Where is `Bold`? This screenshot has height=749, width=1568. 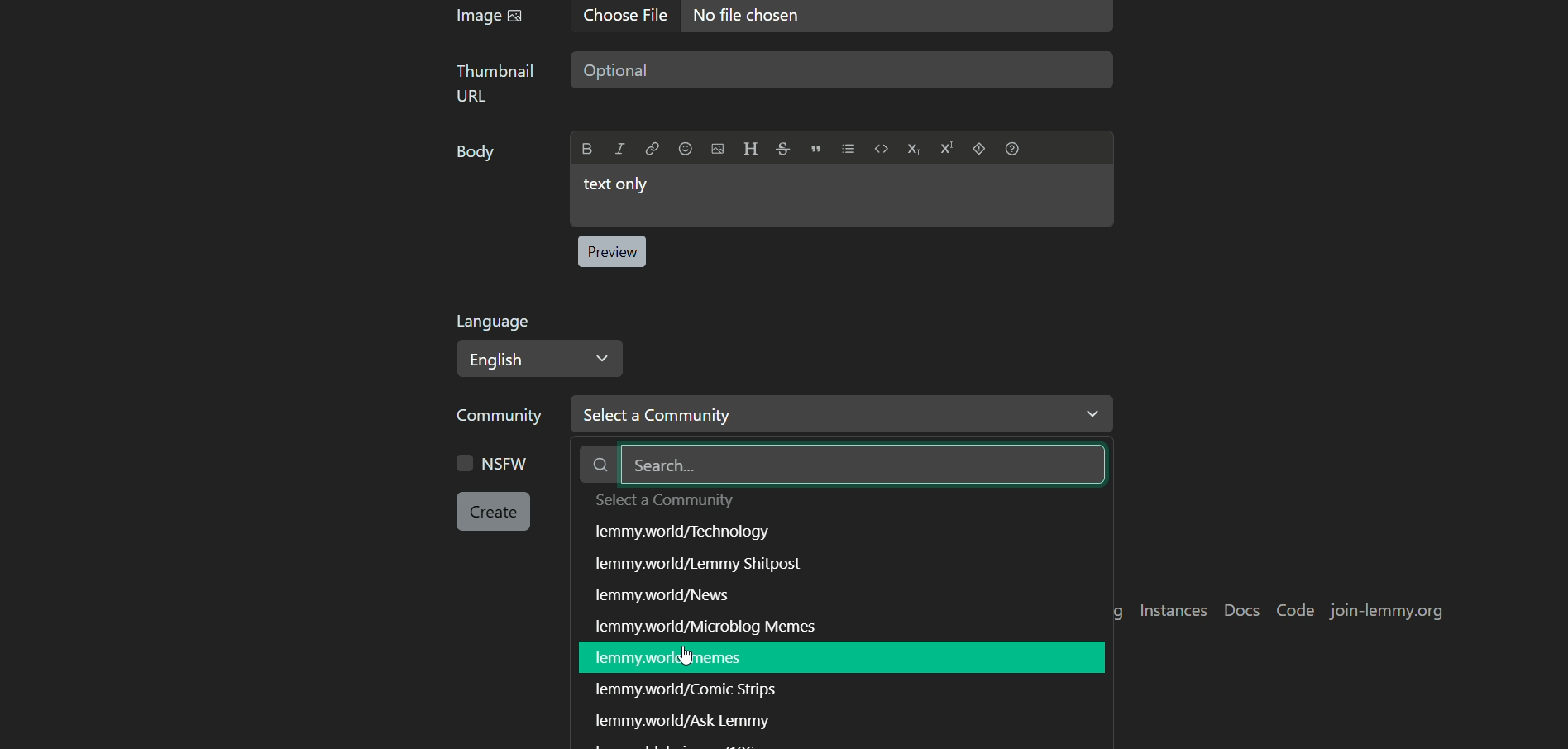 Bold is located at coordinates (588, 149).